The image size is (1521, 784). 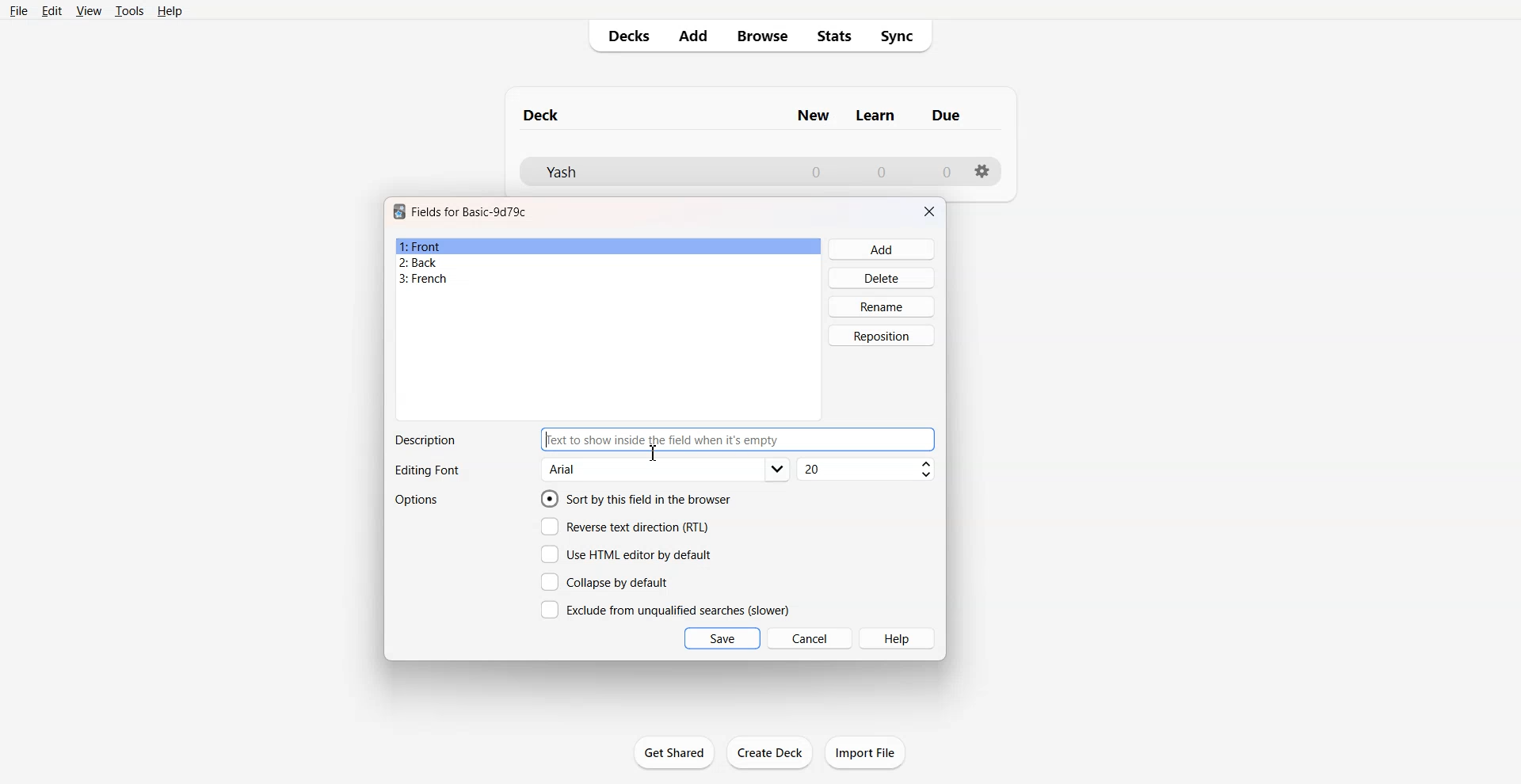 What do you see at coordinates (608, 262) in the screenshot?
I see `Back` at bounding box center [608, 262].